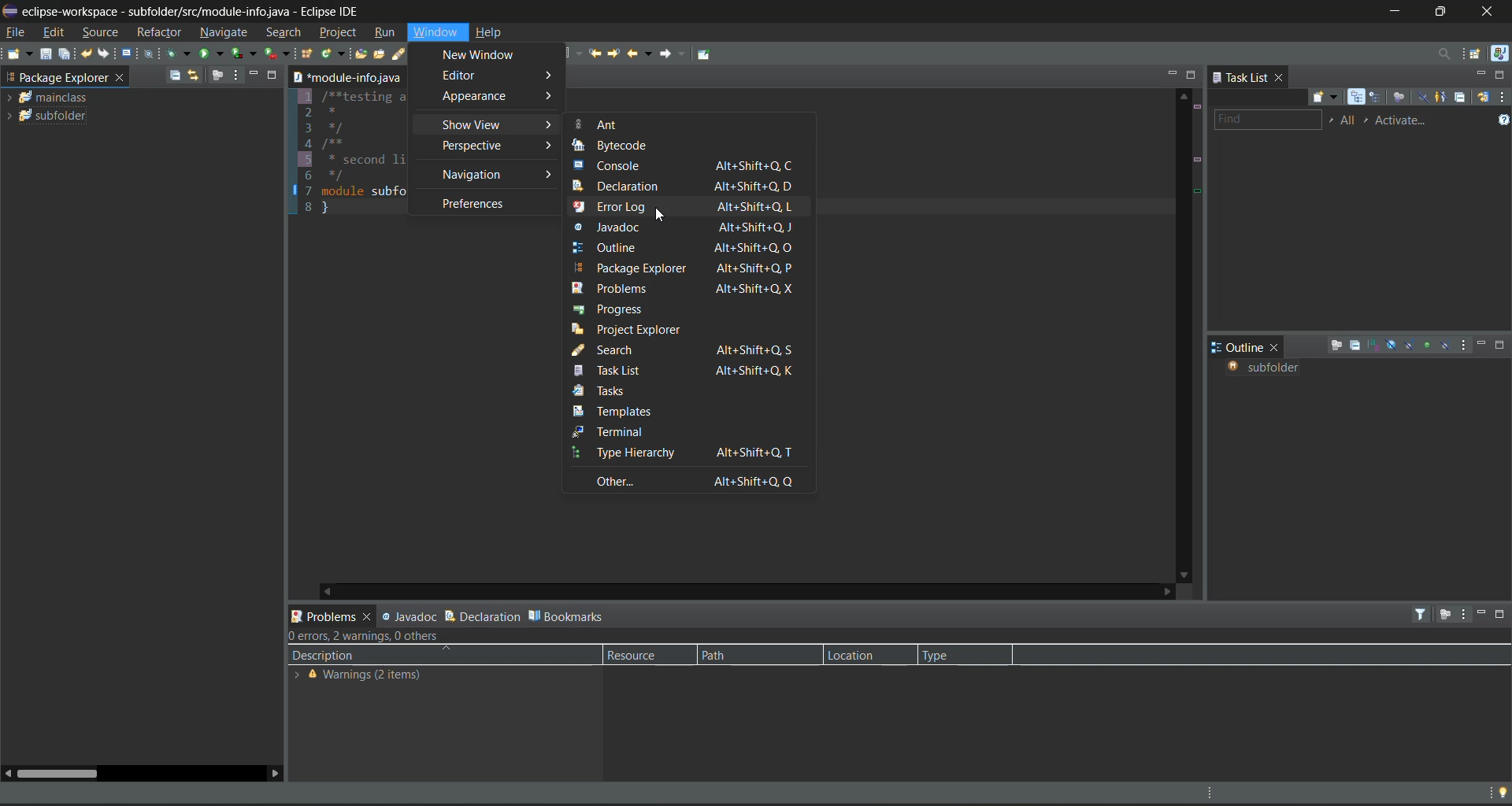 This screenshot has width=1512, height=806. What do you see at coordinates (87, 54) in the screenshot?
I see `undo` at bounding box center [87, 54].